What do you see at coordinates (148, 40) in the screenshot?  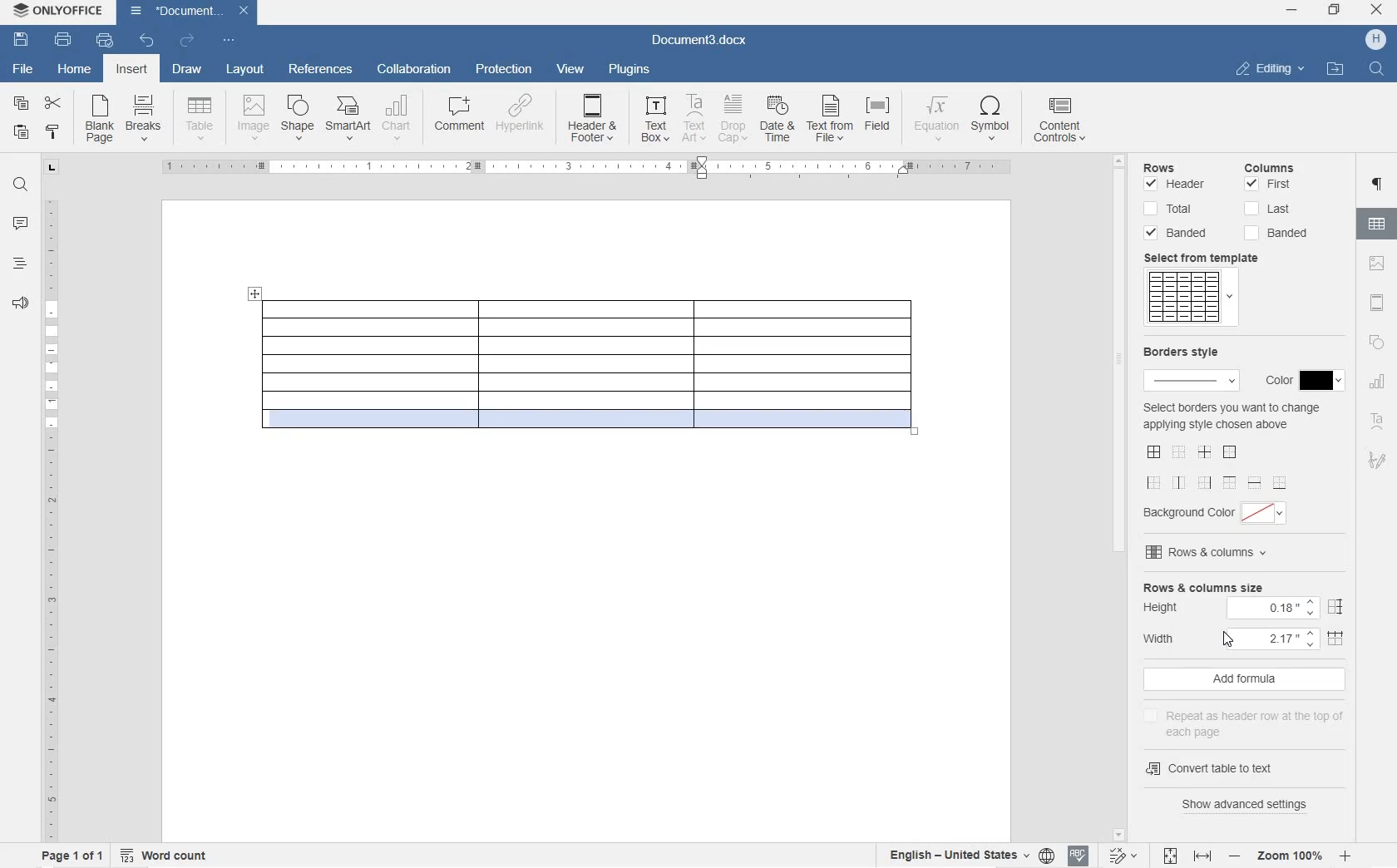 I see `UNDO` at bounding box center [148, 40].